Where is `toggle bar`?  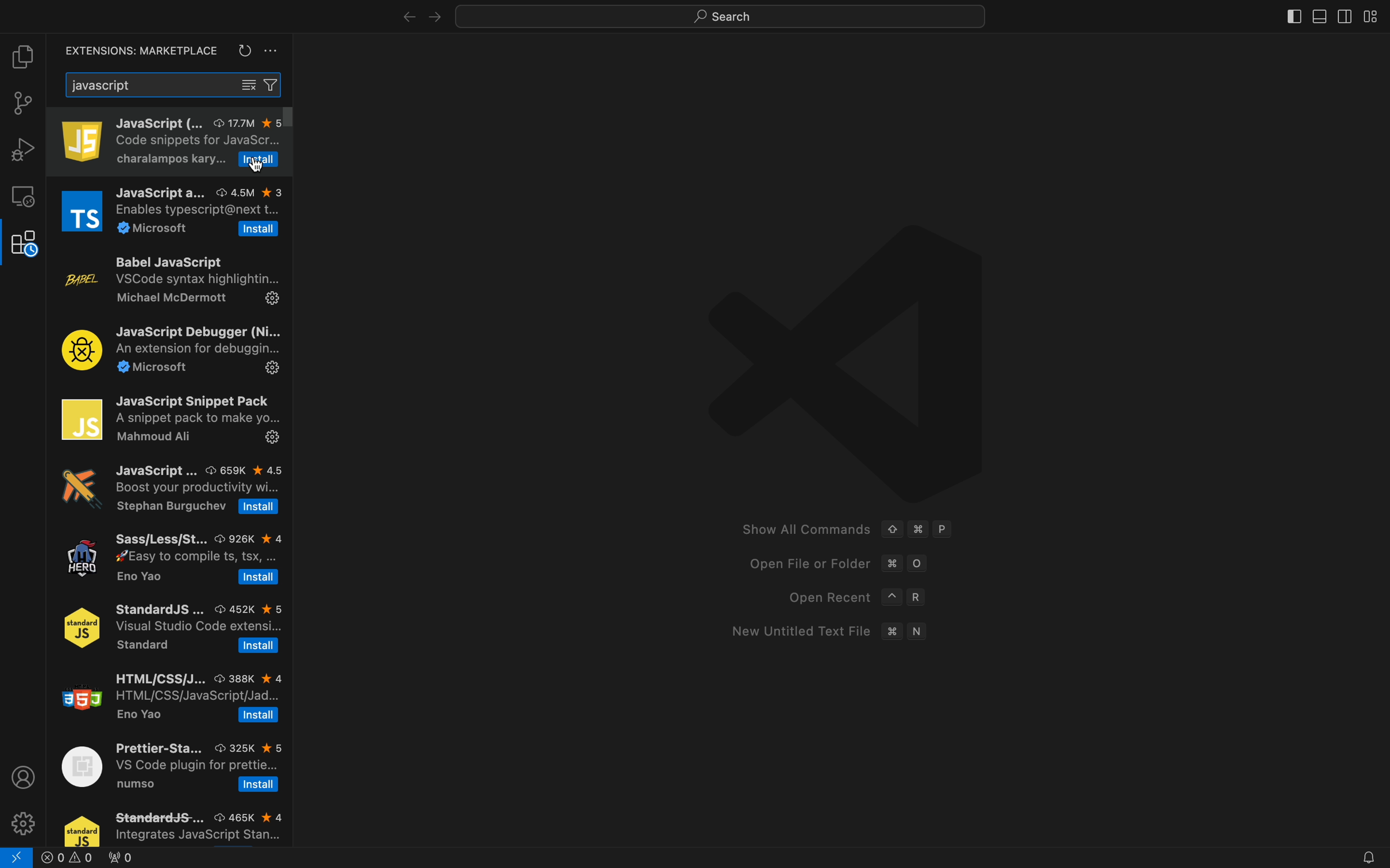
toggle bar is located at coordinates (1291, 16).